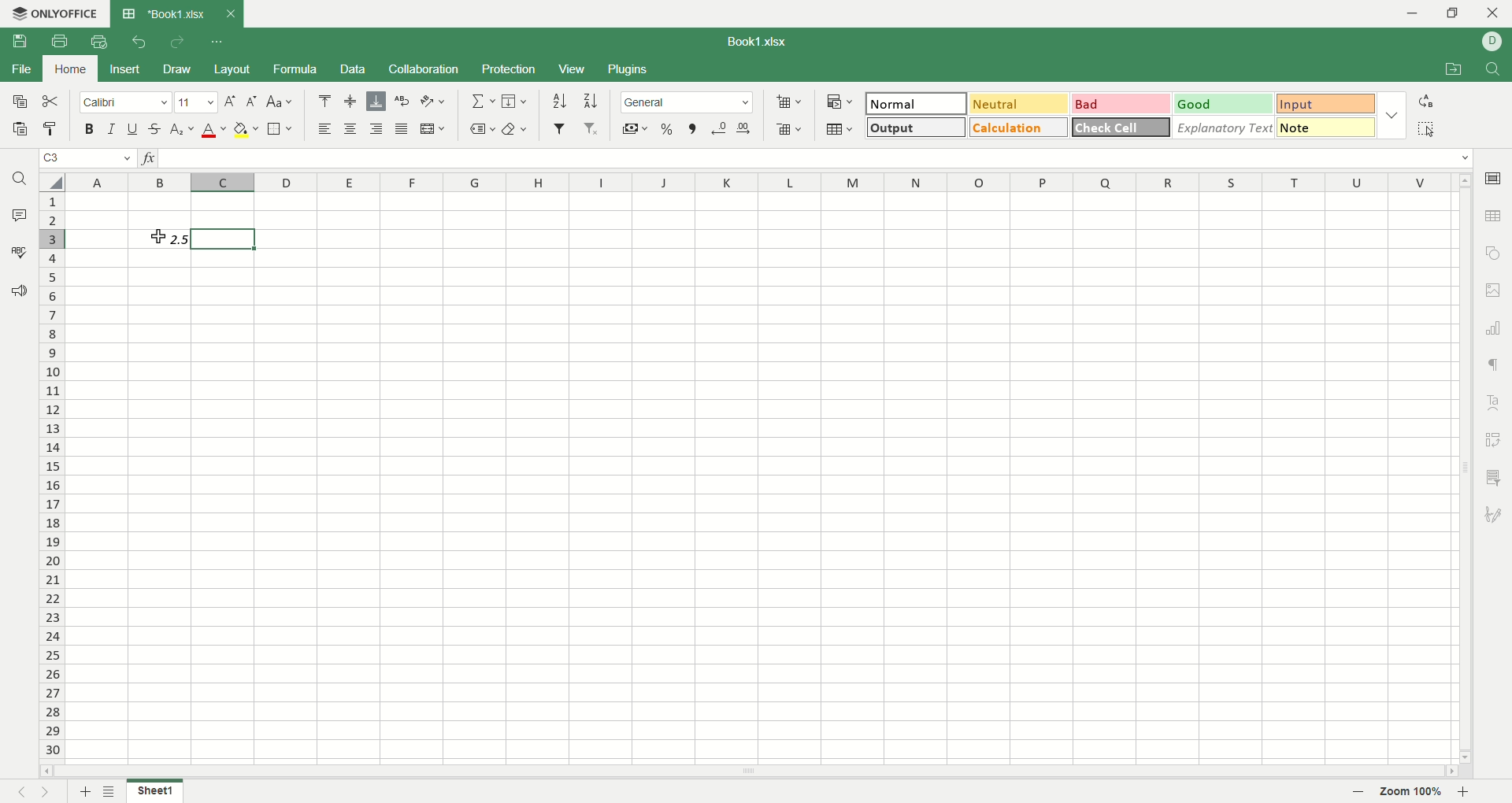  Describe the element at coordinates (744, 129) in the screenshot. I see `increase decimal` at that location.